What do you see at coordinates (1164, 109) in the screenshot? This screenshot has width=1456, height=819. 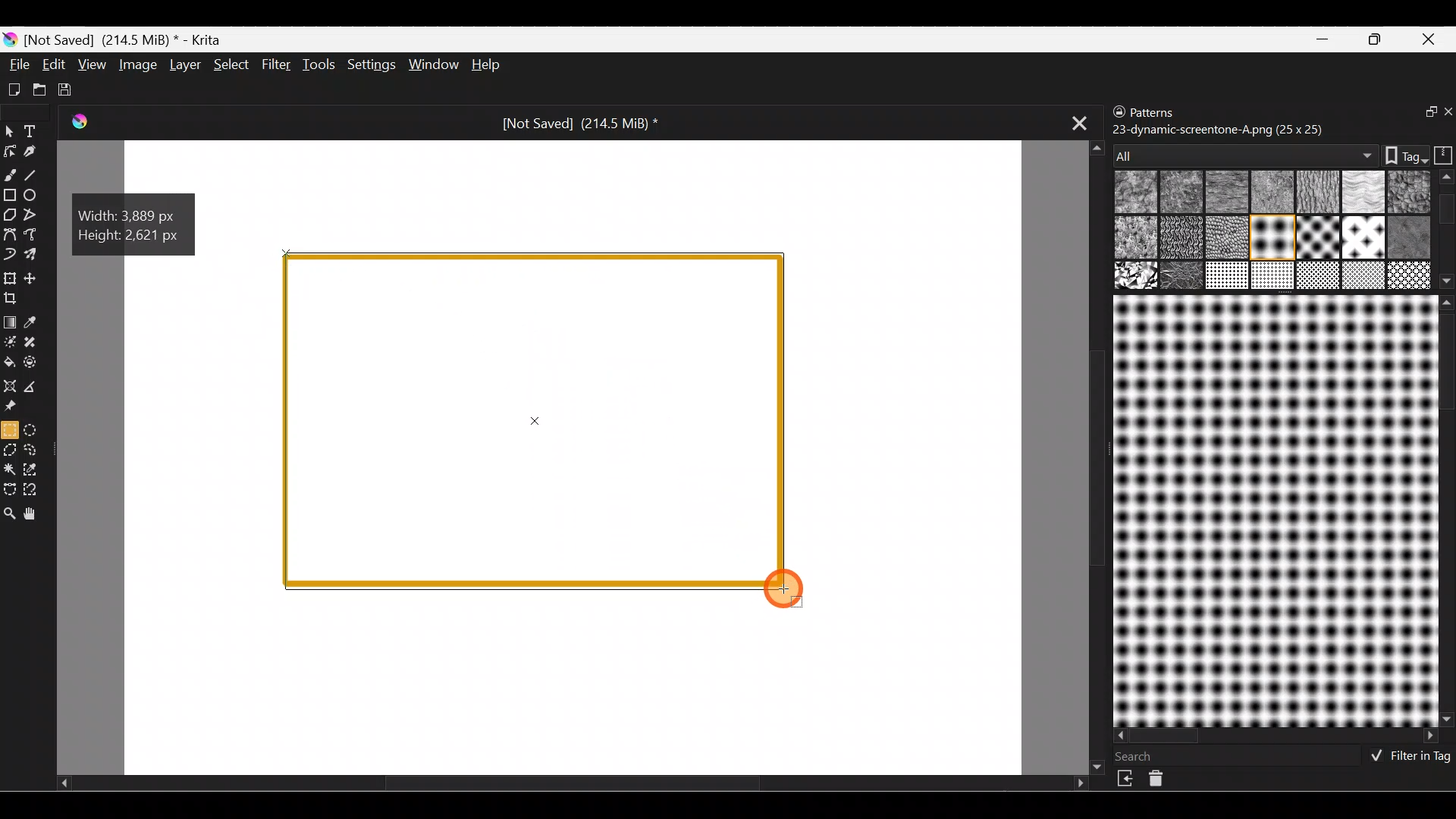 I see `Patterns` at bounding box center [1164, 109].